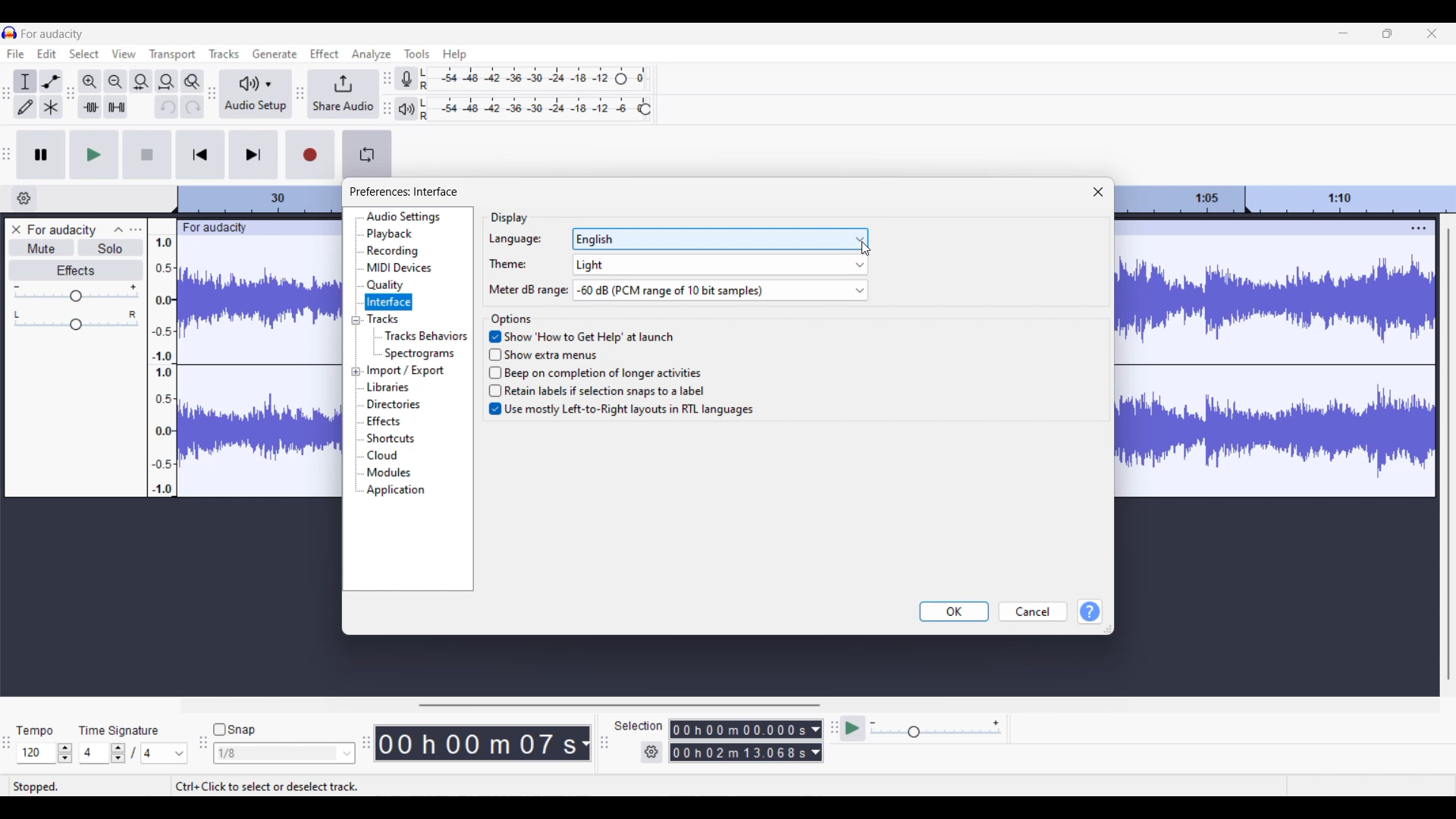 This screenshot has width=1456, height=819. I want to click on Audio settings, so click(403, 217).